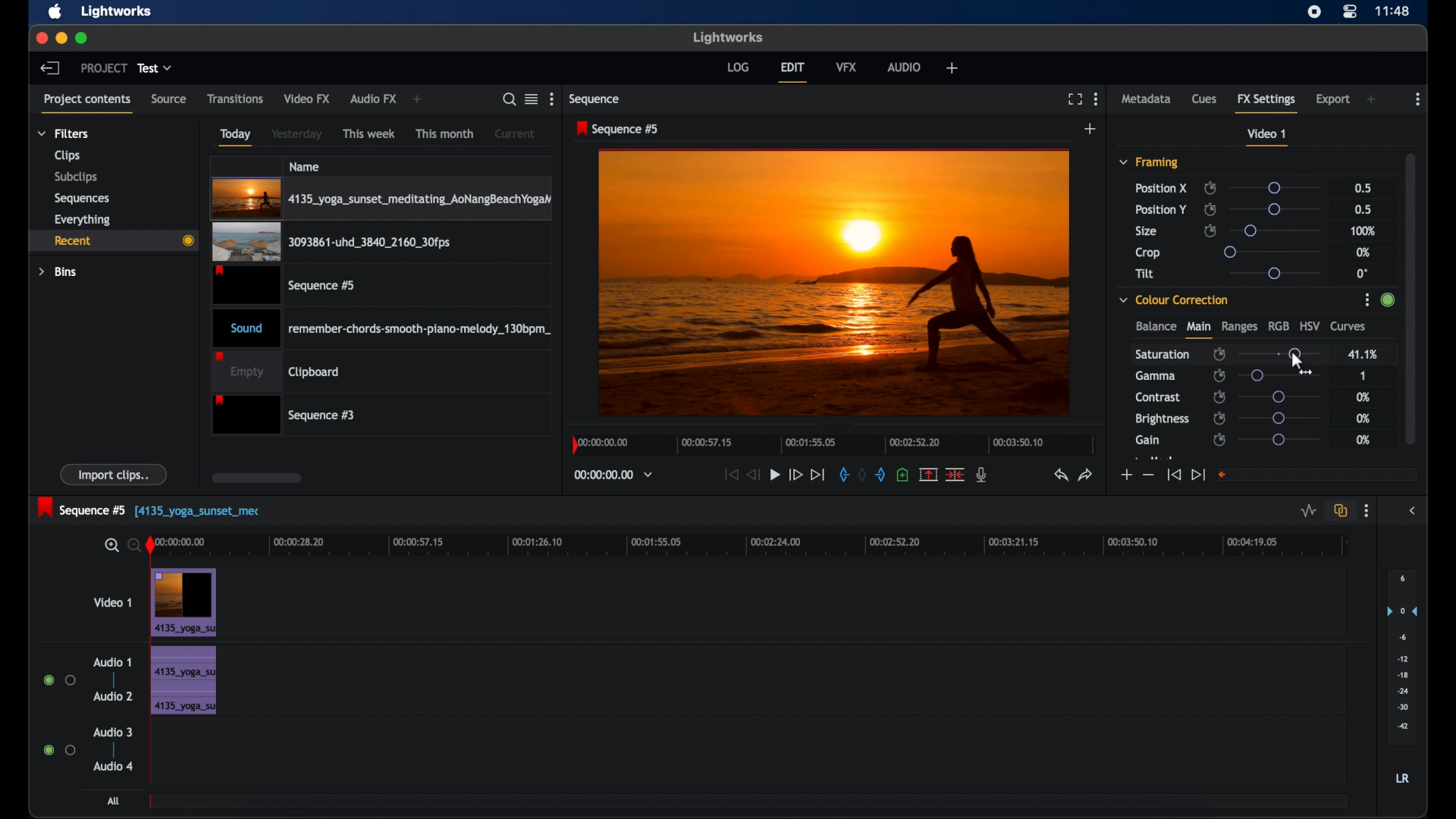 The height and width of the screenshot is (819, 1456). Describe the element at coordinates (1418, 99) in the screenshot. I see `more options` at that location.